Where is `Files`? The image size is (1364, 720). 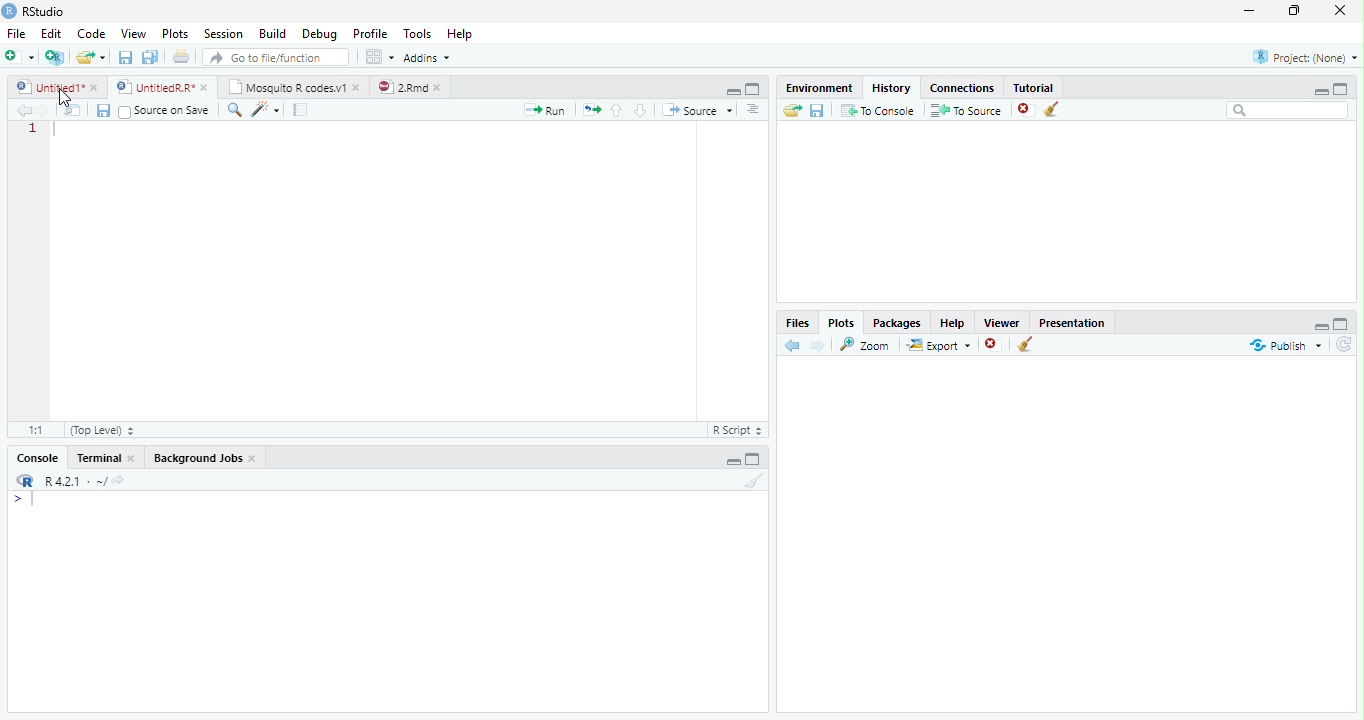 Files is located at coordinates (798, 322).